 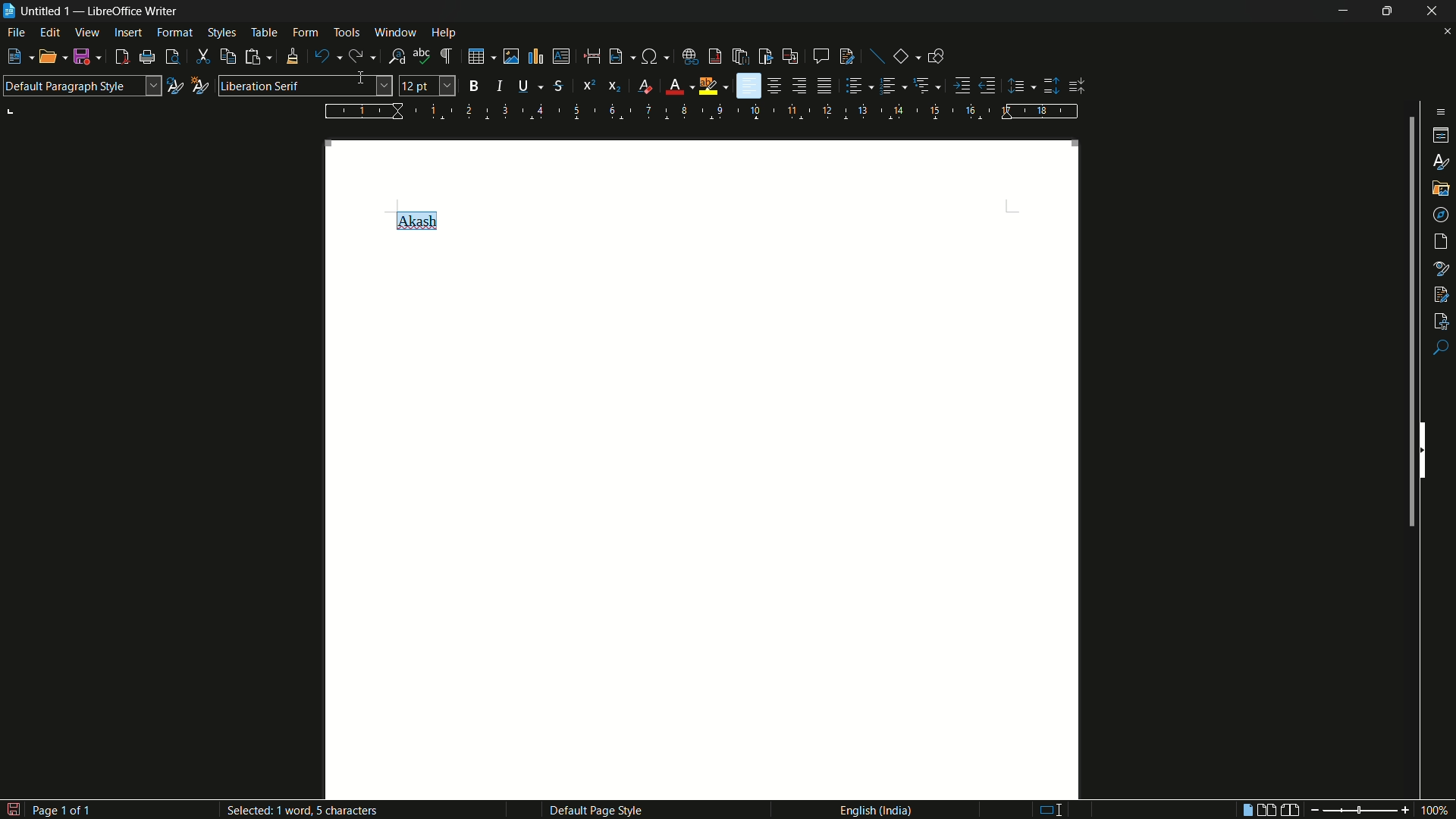 I want to click on find, so click(x=1441, y=349).